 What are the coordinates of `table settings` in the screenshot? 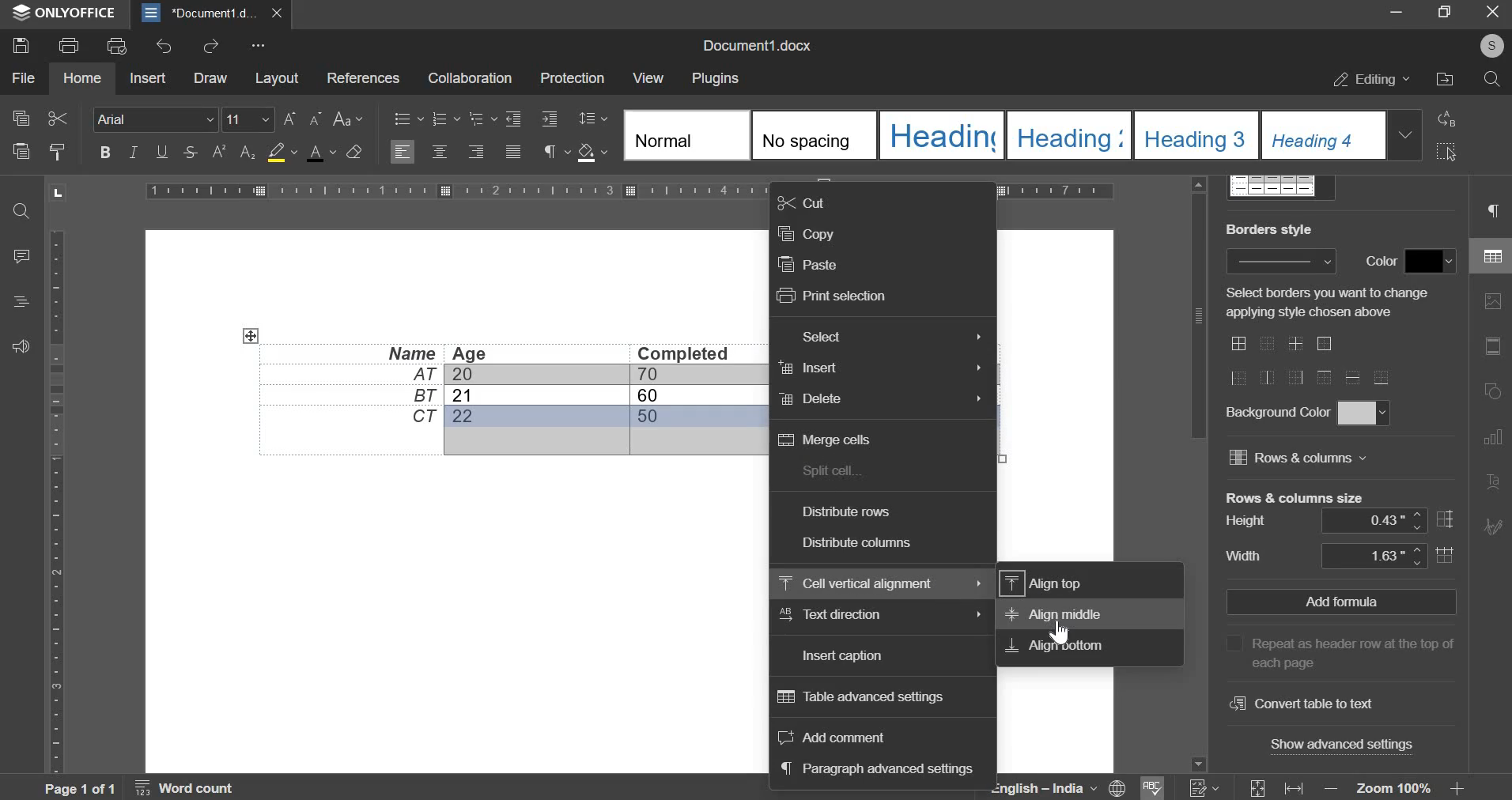 It's located at (1487, 255).